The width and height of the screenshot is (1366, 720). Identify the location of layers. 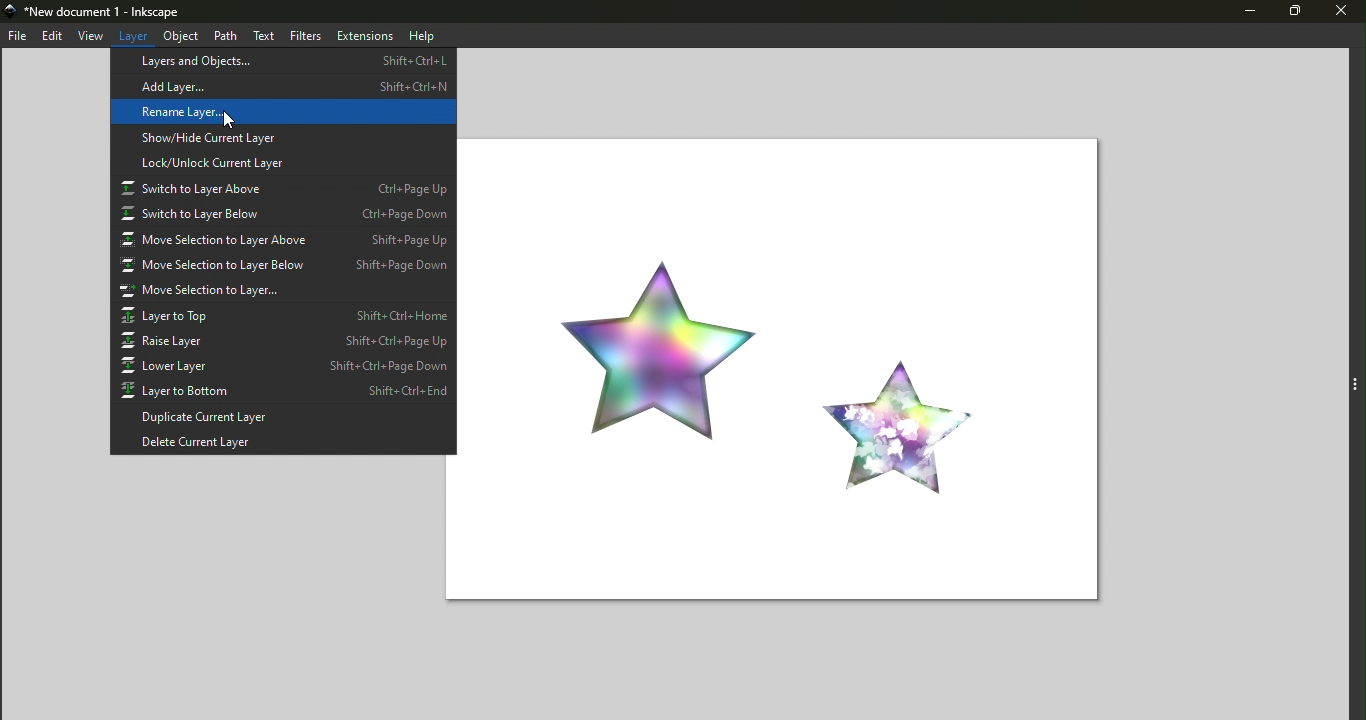
(129, 37).